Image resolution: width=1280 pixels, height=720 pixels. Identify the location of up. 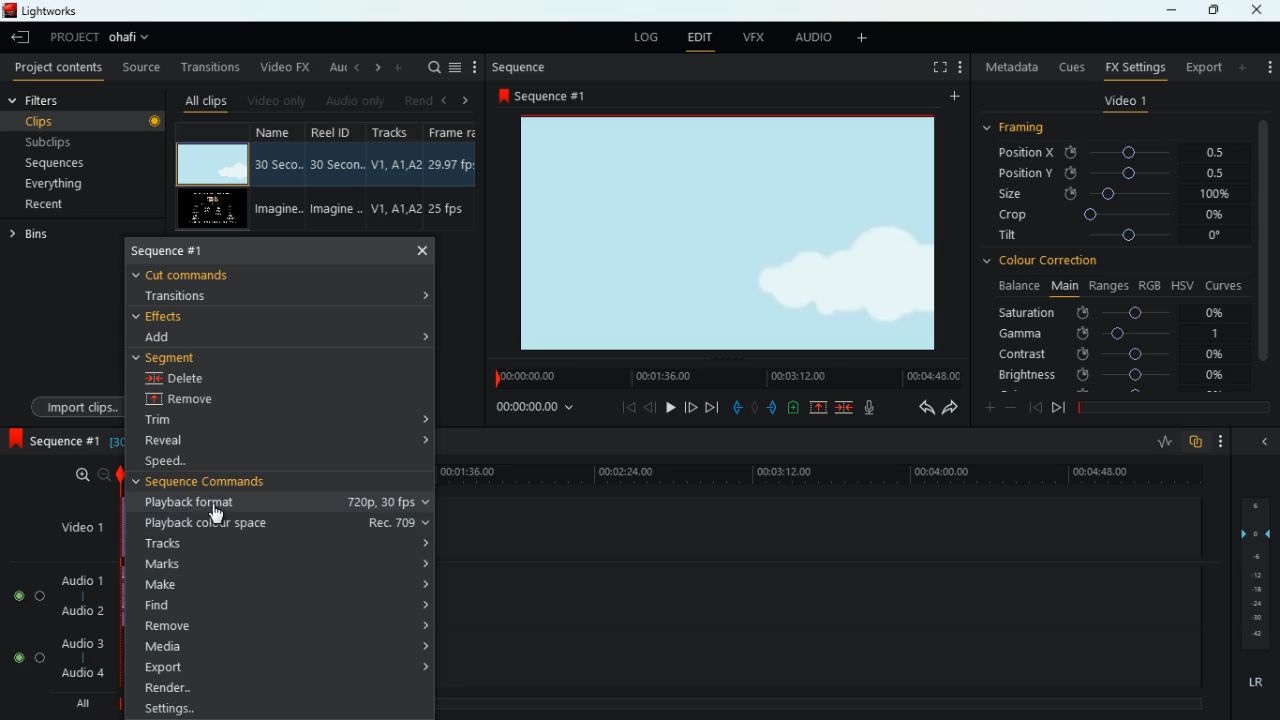
(818, 407).